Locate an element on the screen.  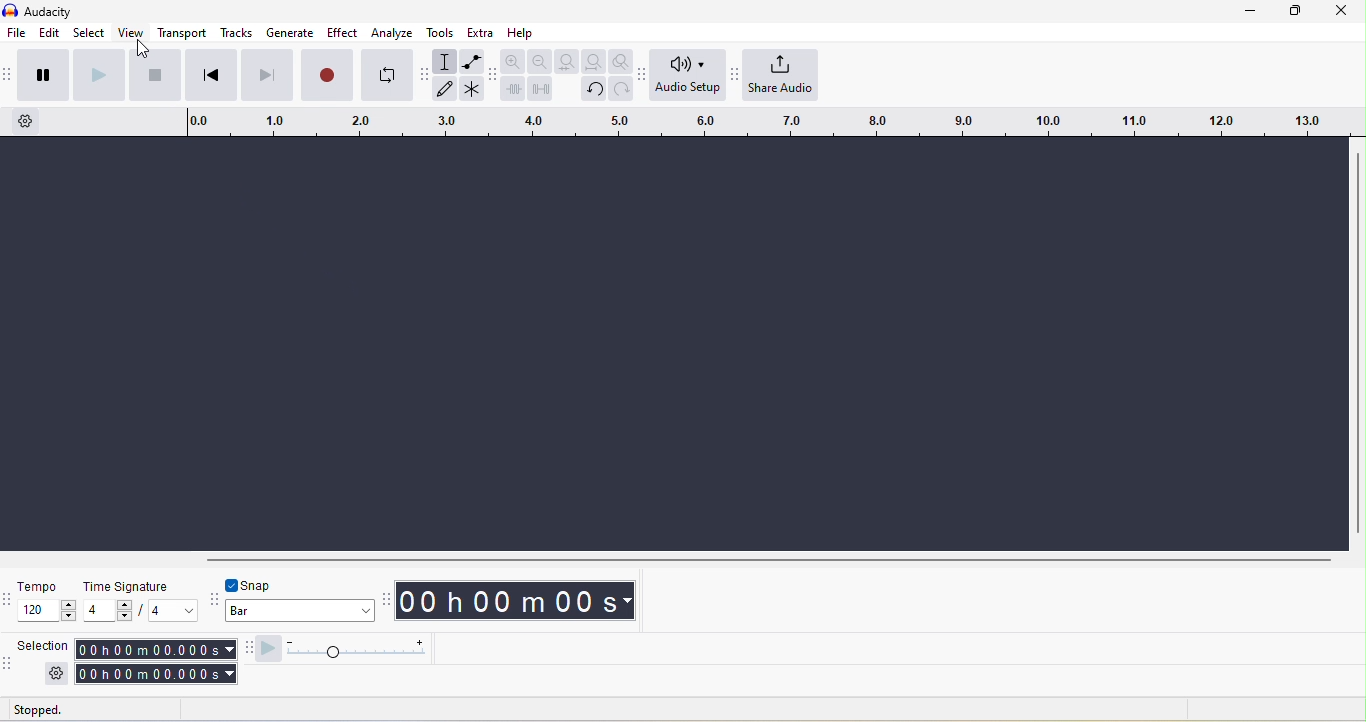
set time signature is located at coordinates (174, 610).